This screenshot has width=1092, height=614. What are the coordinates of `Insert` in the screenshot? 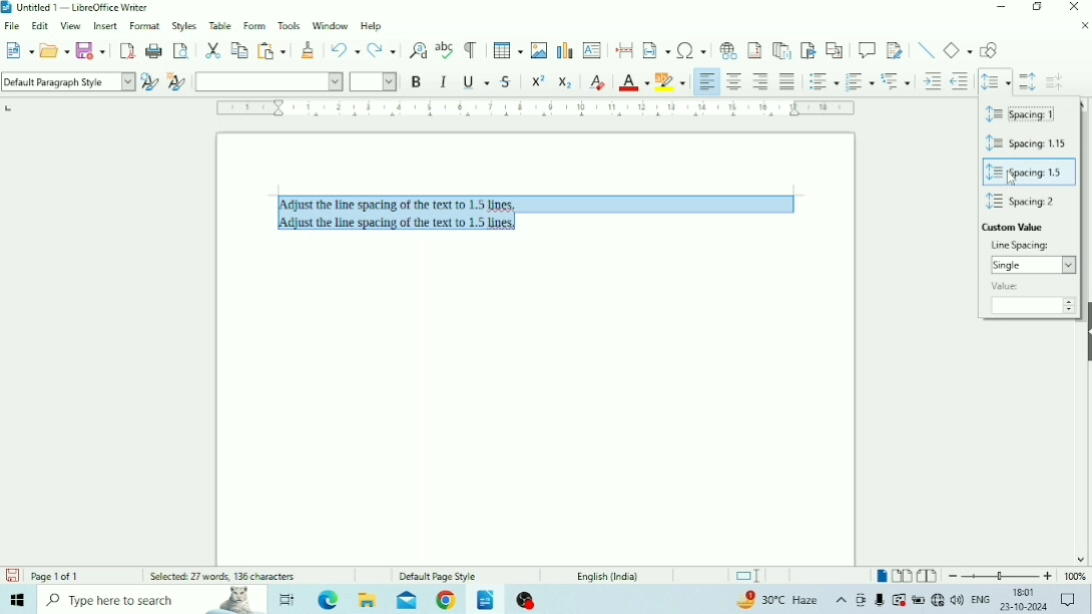 It's located at (105, 24).